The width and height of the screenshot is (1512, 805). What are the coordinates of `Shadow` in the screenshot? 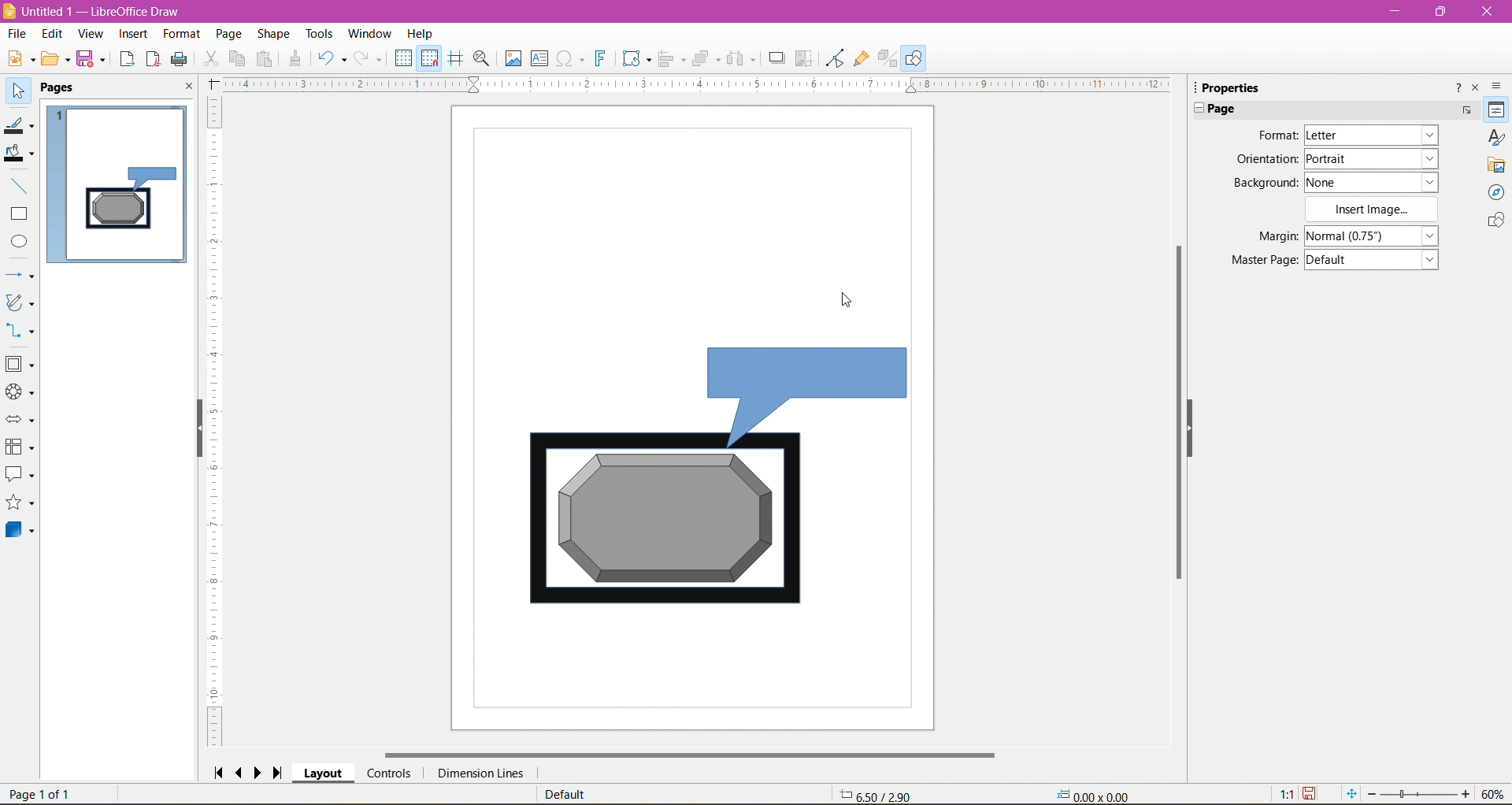 It's located at (774, 58).